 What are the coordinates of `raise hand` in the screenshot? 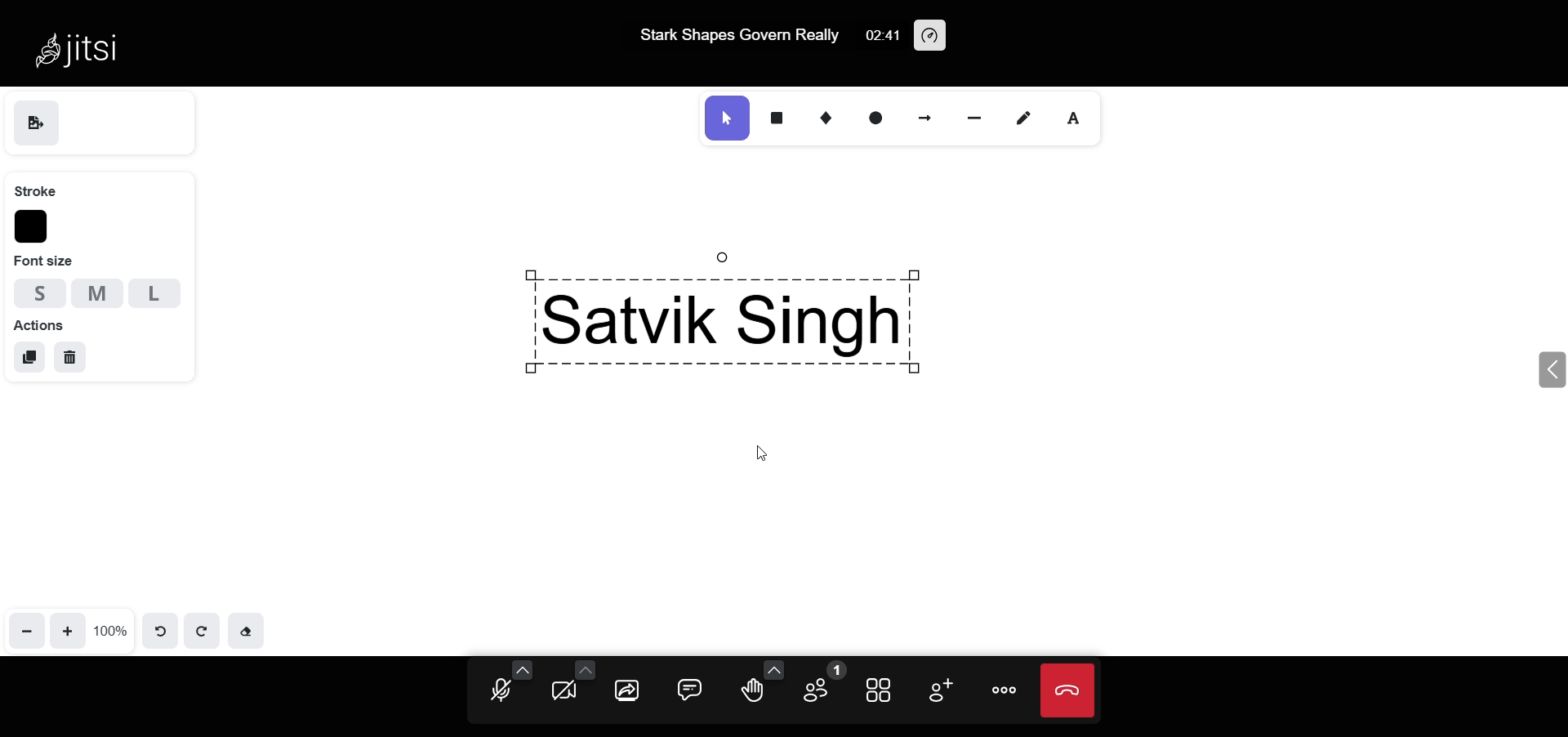 It's located at (751, 694).